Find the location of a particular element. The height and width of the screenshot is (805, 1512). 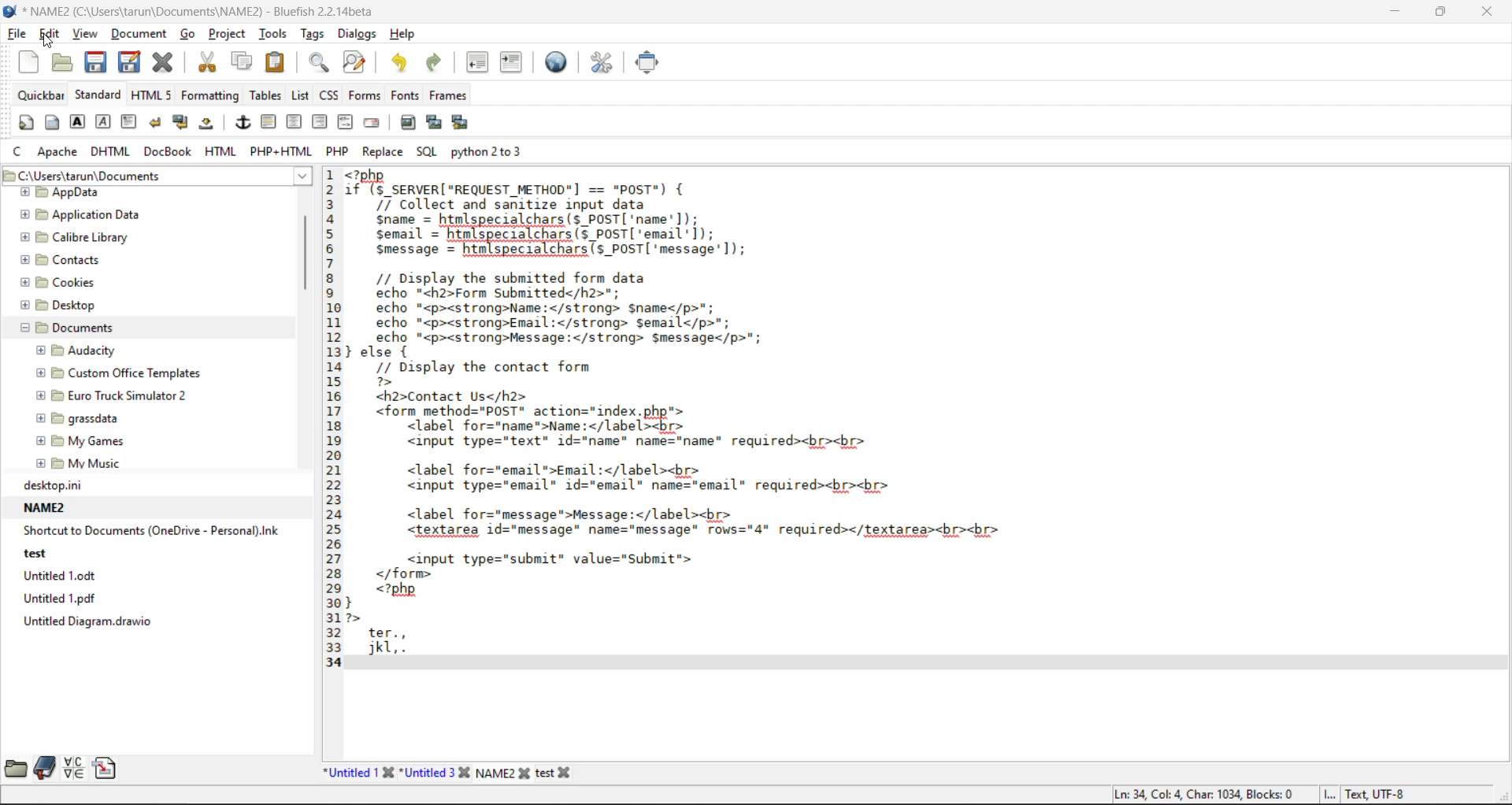

tables is located at coordinates (265, 95).